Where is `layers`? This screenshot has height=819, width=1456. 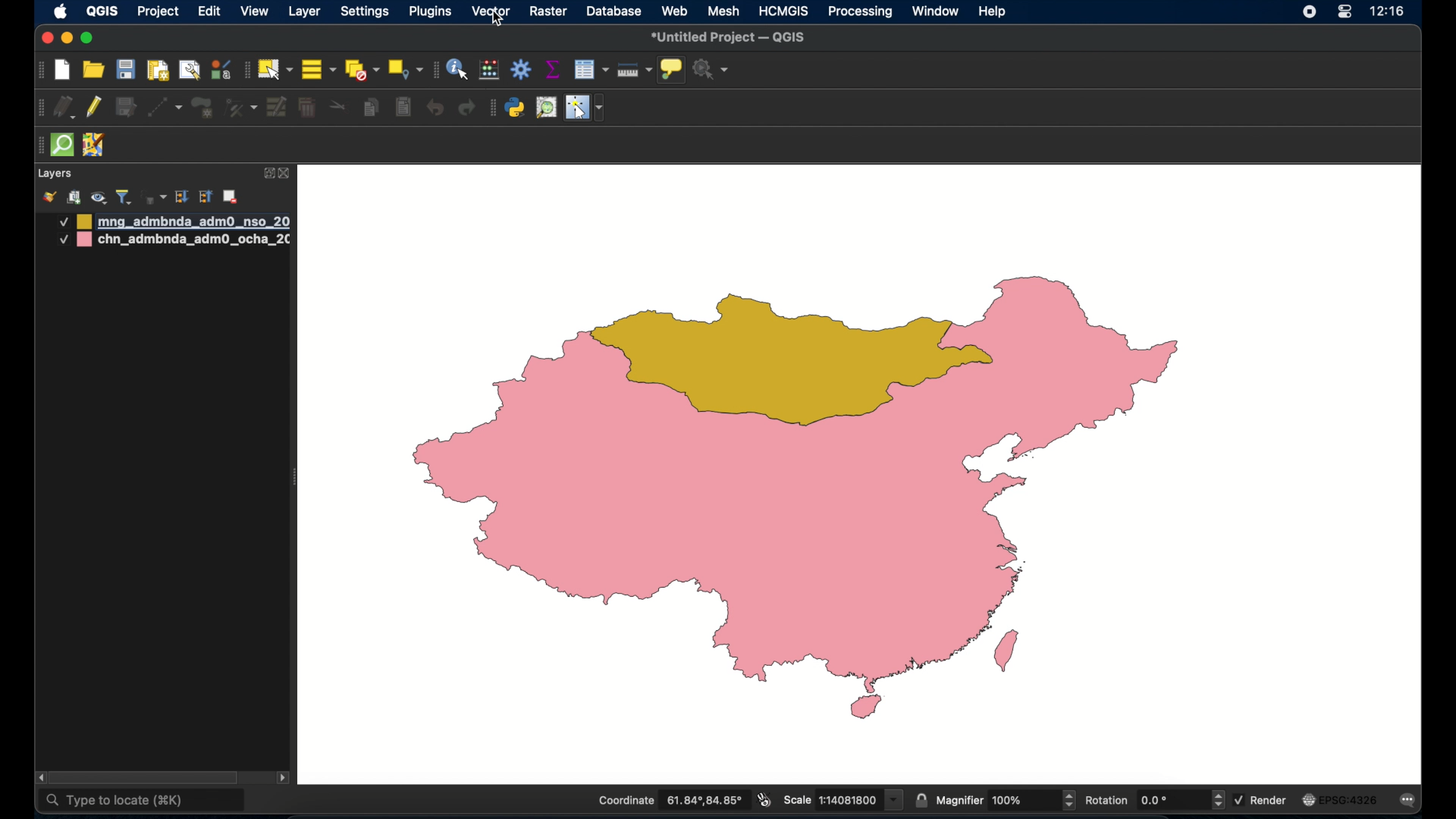
layers is located at coordinates (55, 174).